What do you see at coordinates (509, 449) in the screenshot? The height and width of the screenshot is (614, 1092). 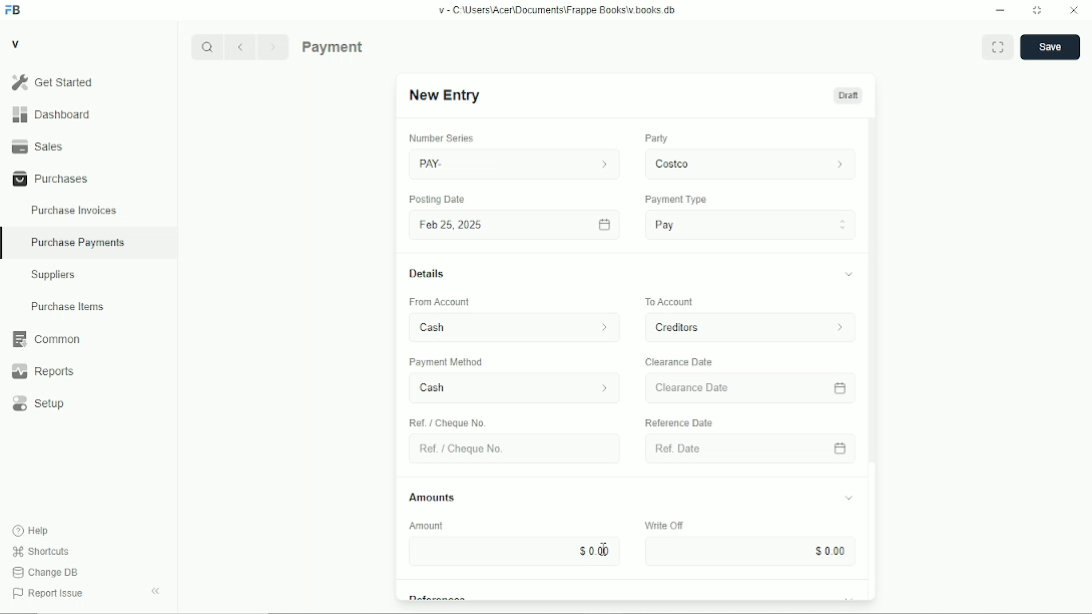 I see `Ret. Choque No.` at bounding box center [509, 449].